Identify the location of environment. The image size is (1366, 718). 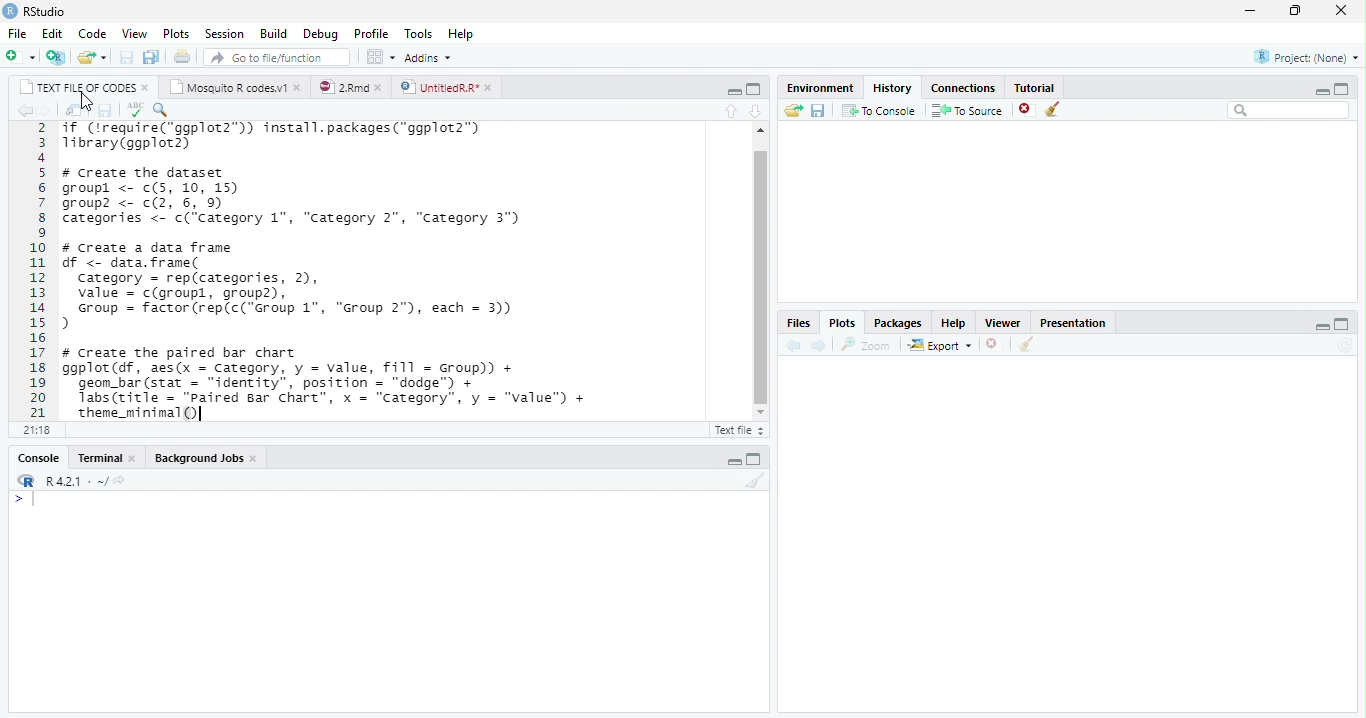
(822, 88).